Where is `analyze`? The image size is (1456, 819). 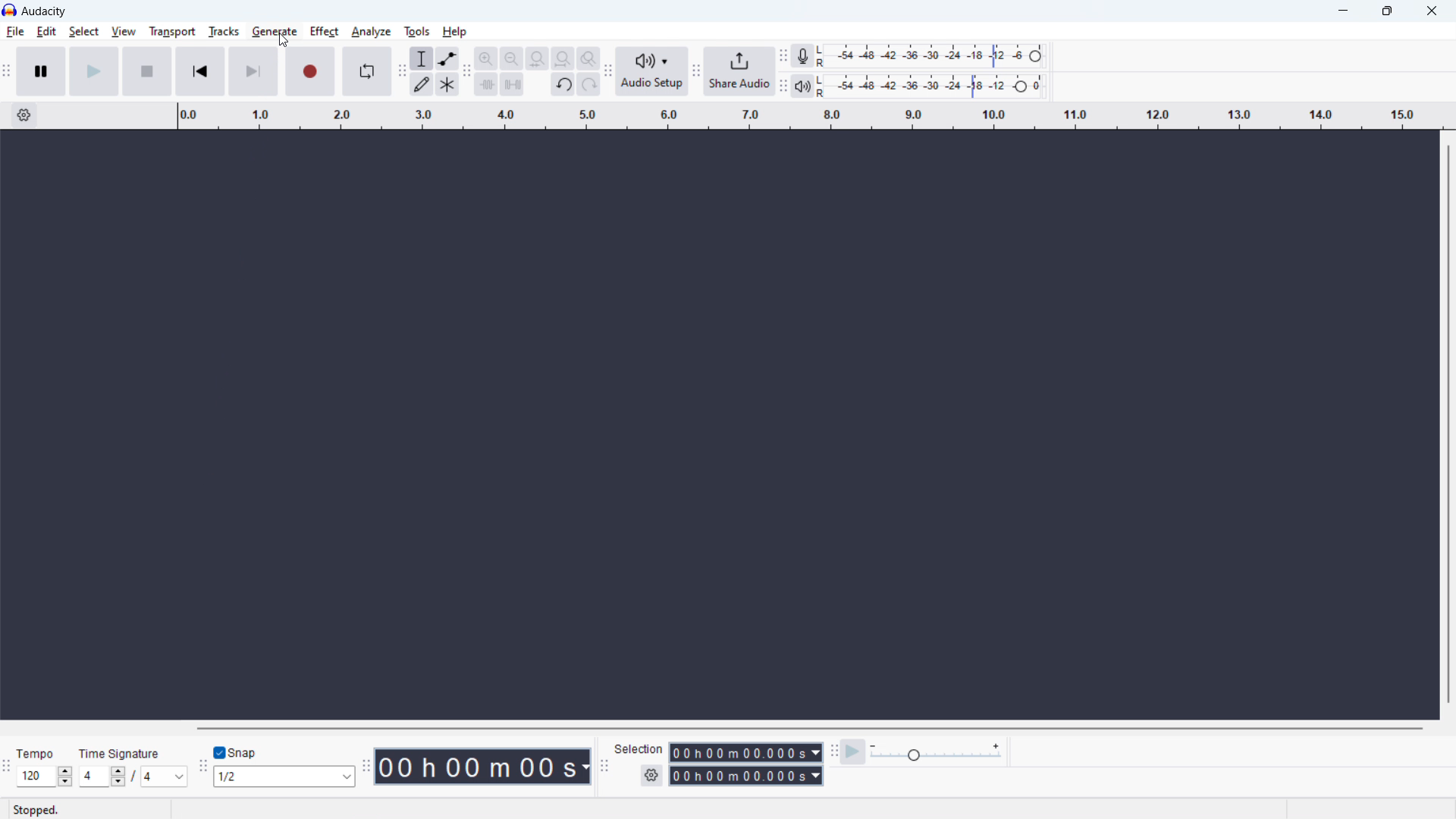
analyze is located at coordinates (371, 31).